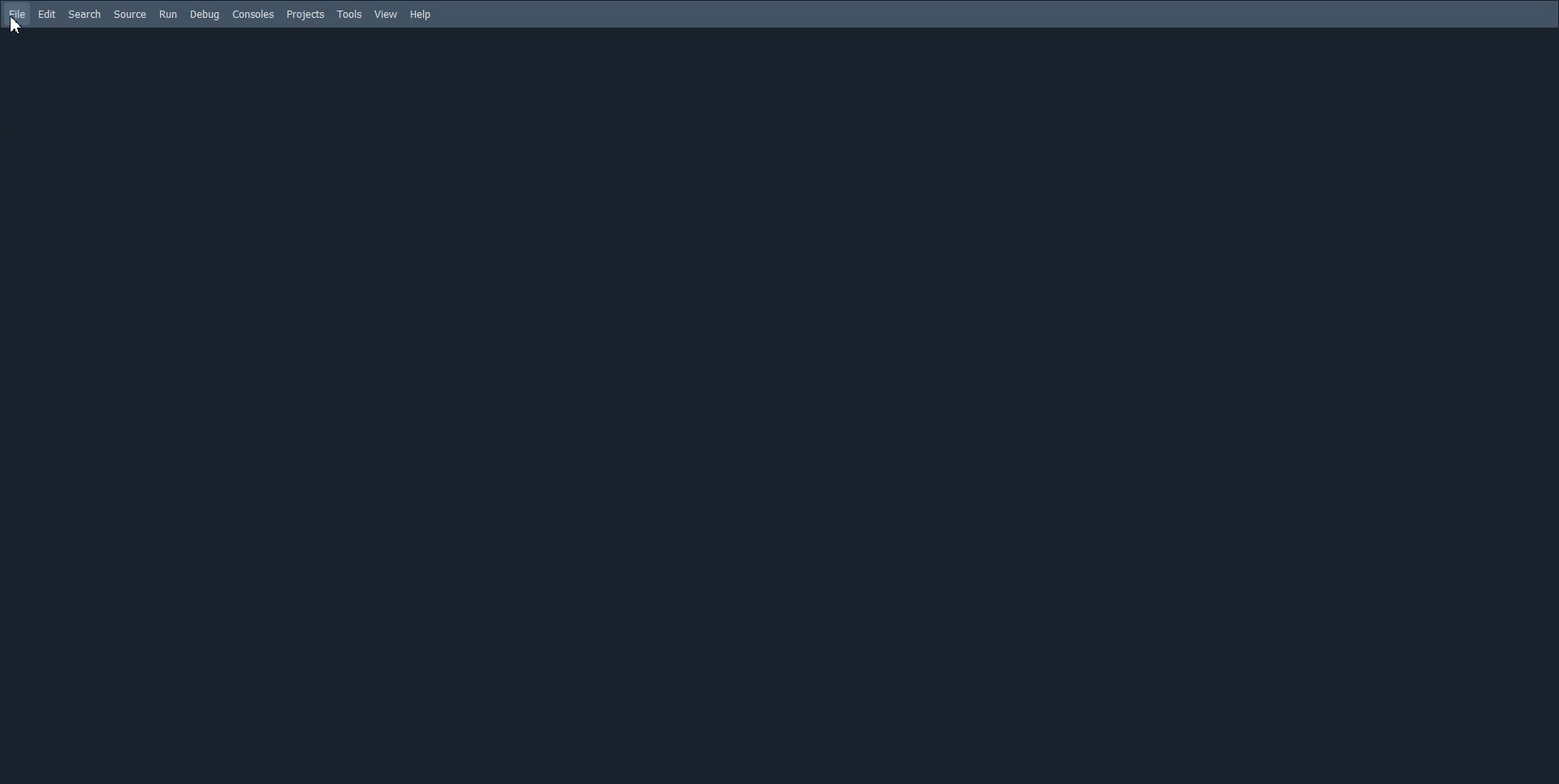  What do you see at coordinates (47, 14) in the screenshot?
I see `Edit` at bounding box center [47, 14].